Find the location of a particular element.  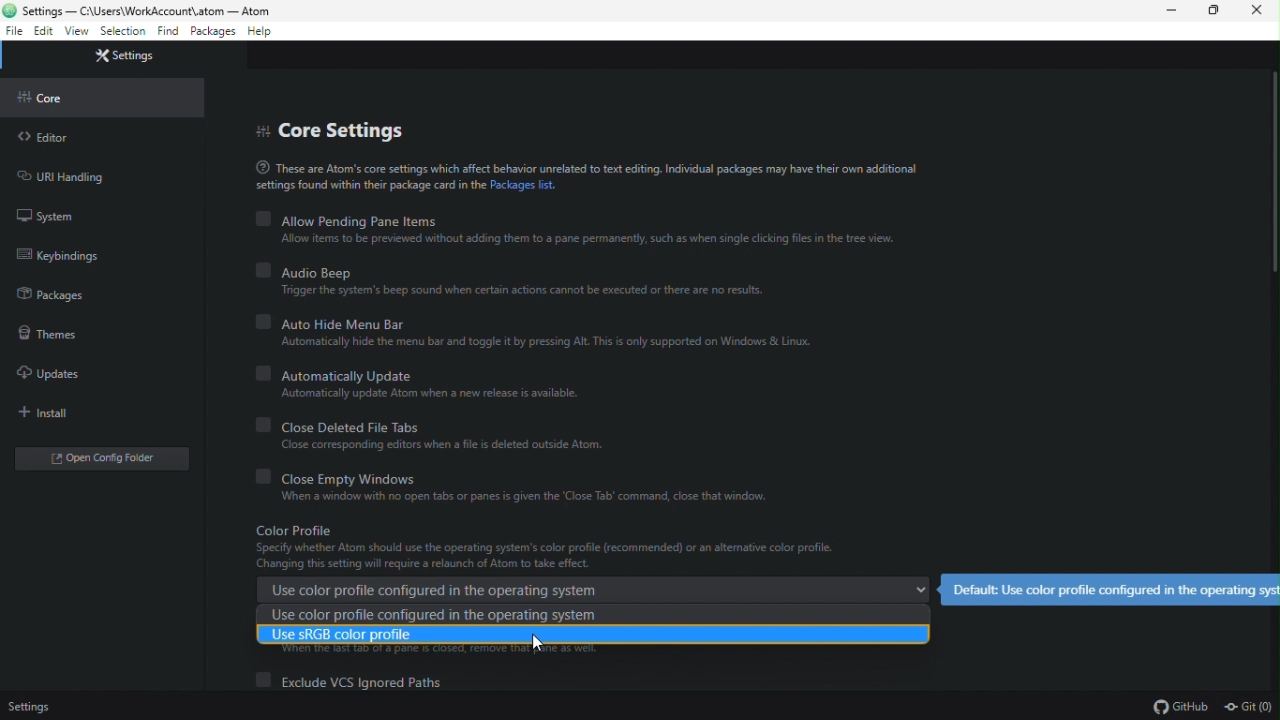

use color profile configured in the operating system is located at coordinates (595, 611).